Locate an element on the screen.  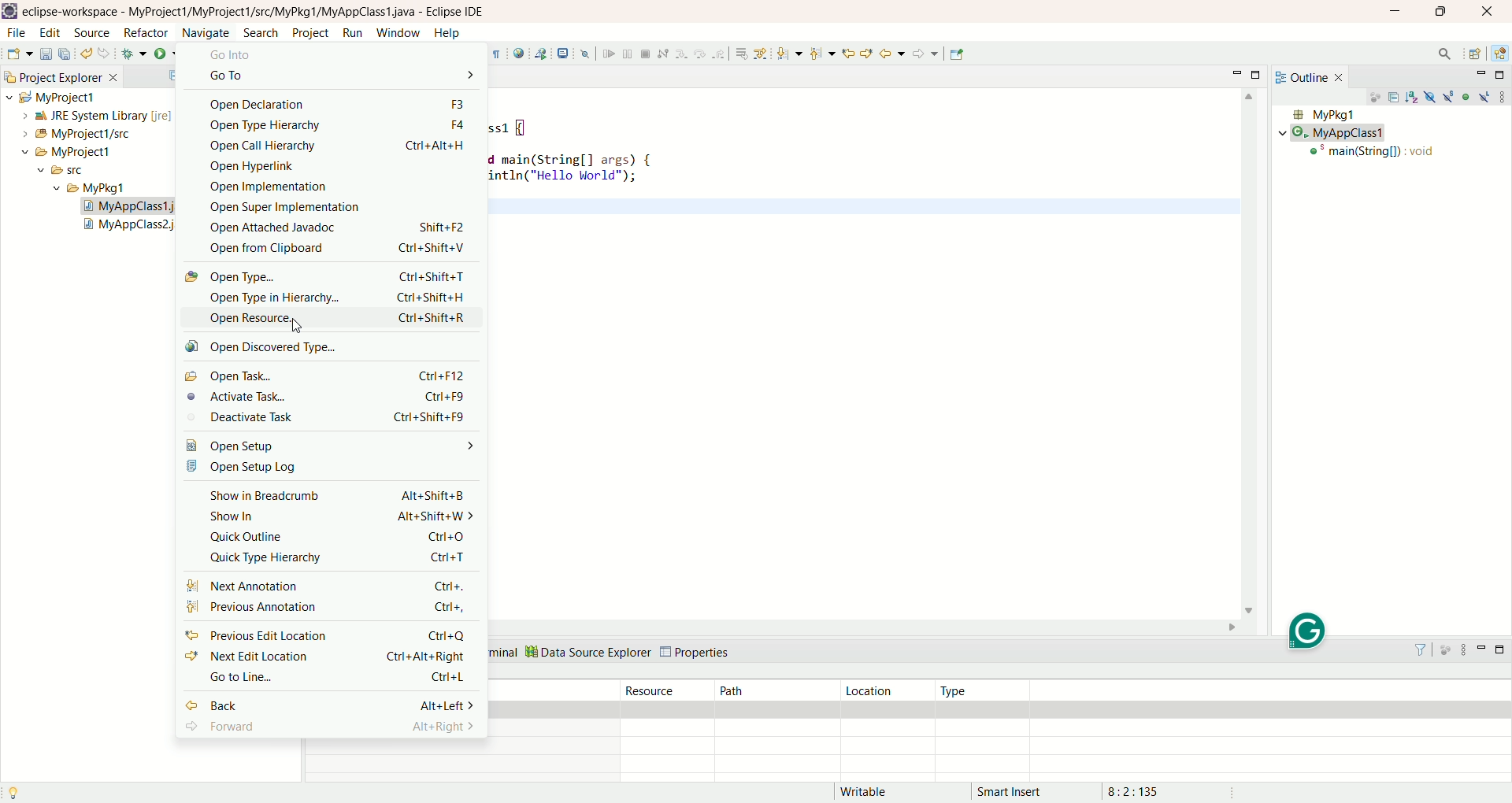
file is located at coordinates (20, 35).